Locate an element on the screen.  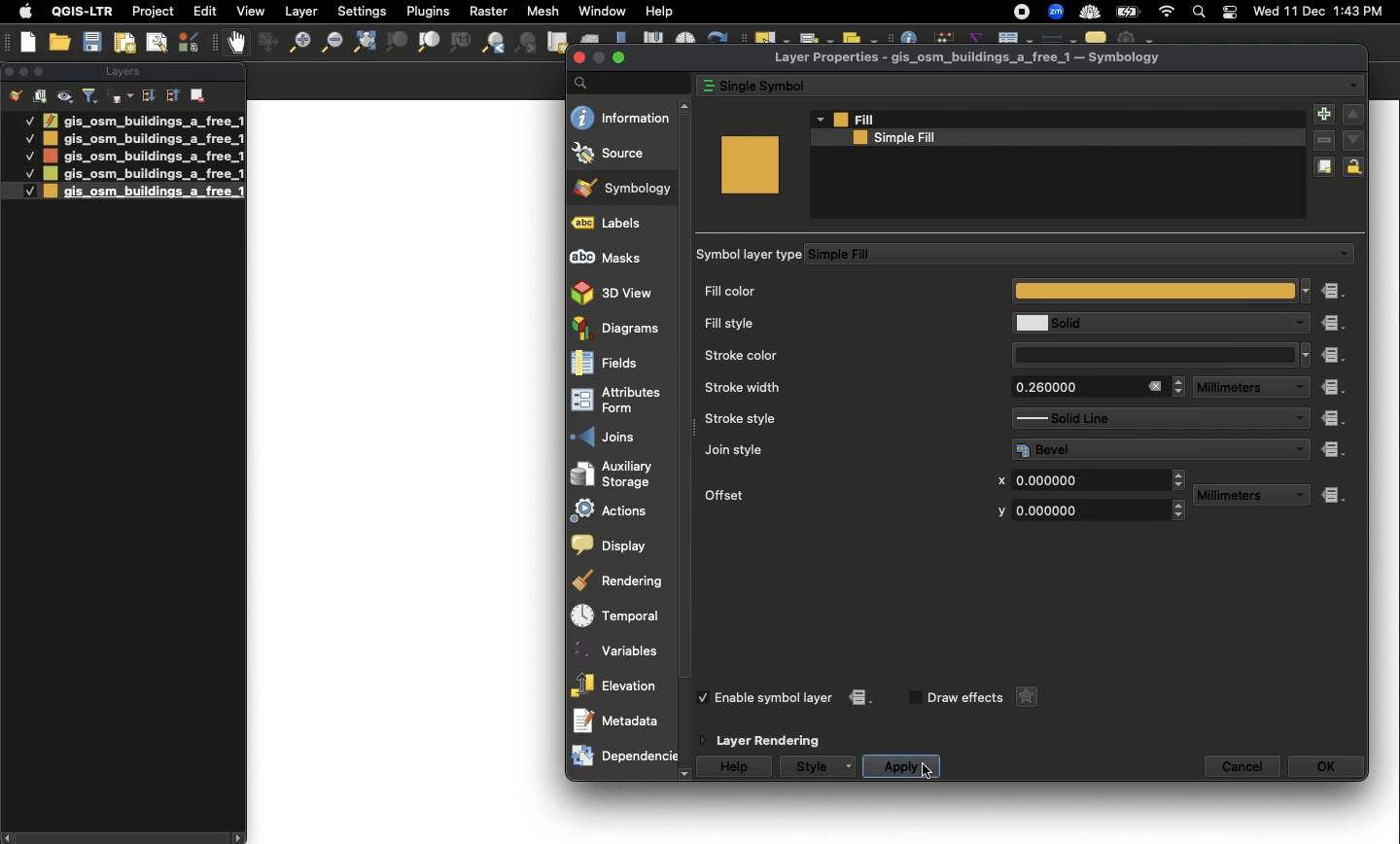
Draw effects is located at coordinates (964, 698).